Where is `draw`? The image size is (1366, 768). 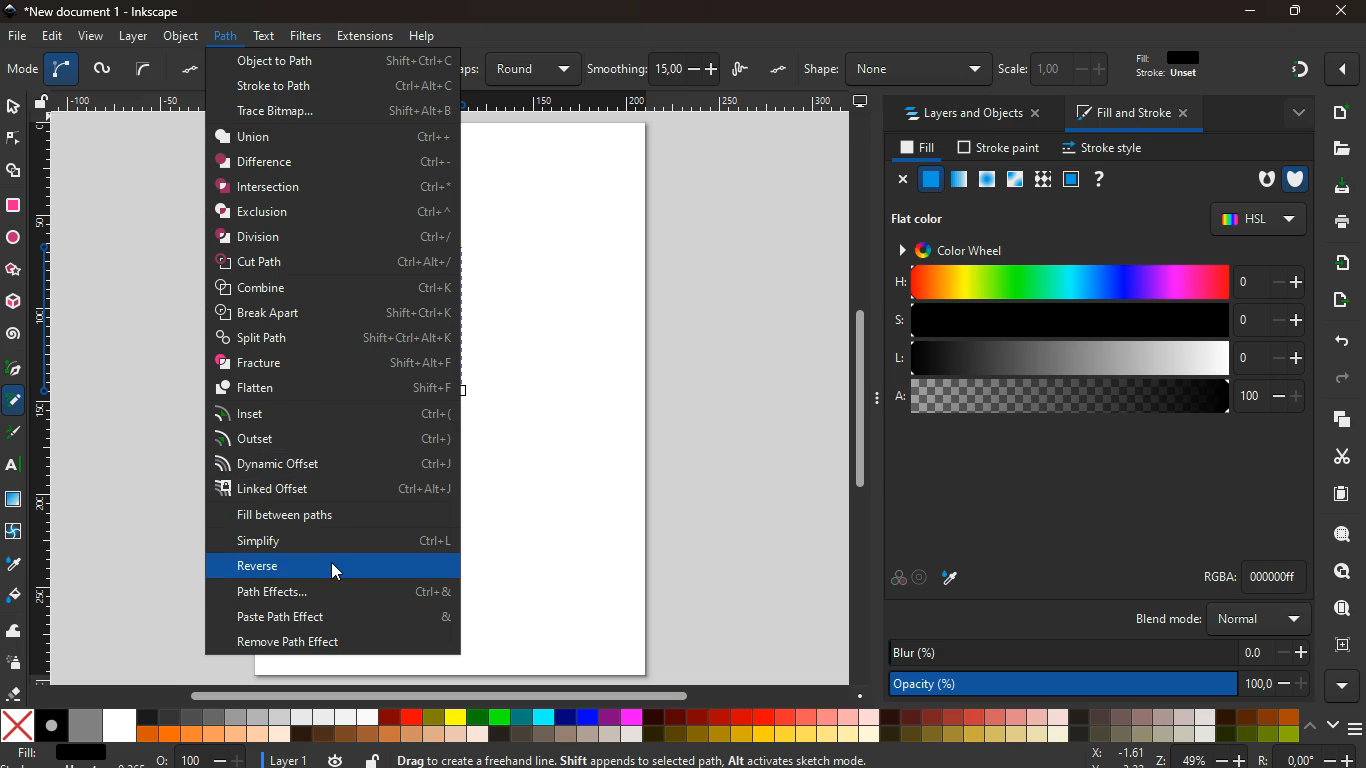
draw is located at coordinates (742, 71).